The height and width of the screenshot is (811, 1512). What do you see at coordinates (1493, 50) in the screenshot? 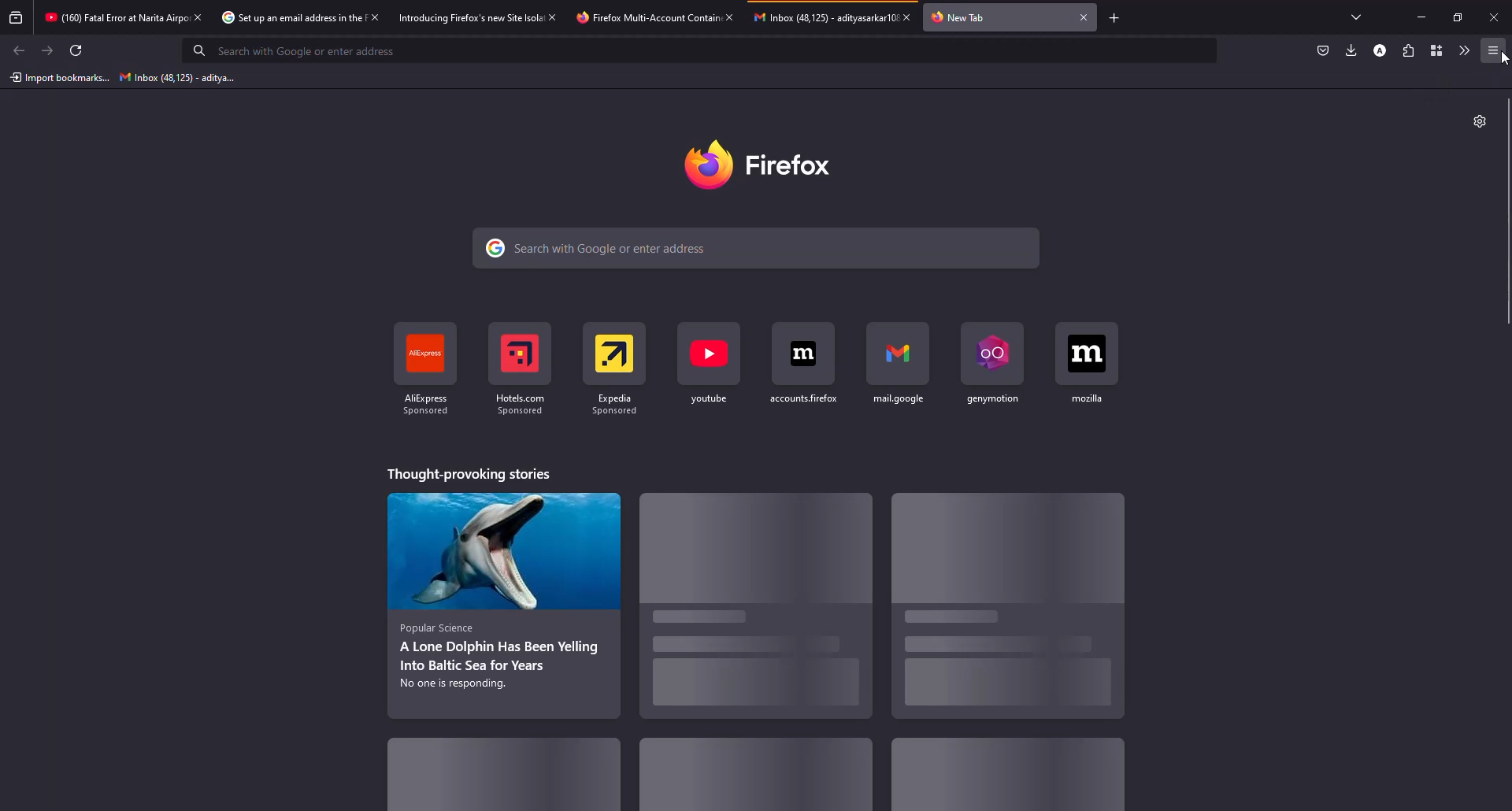
I see `menu` at bounding box center [1493, 50].